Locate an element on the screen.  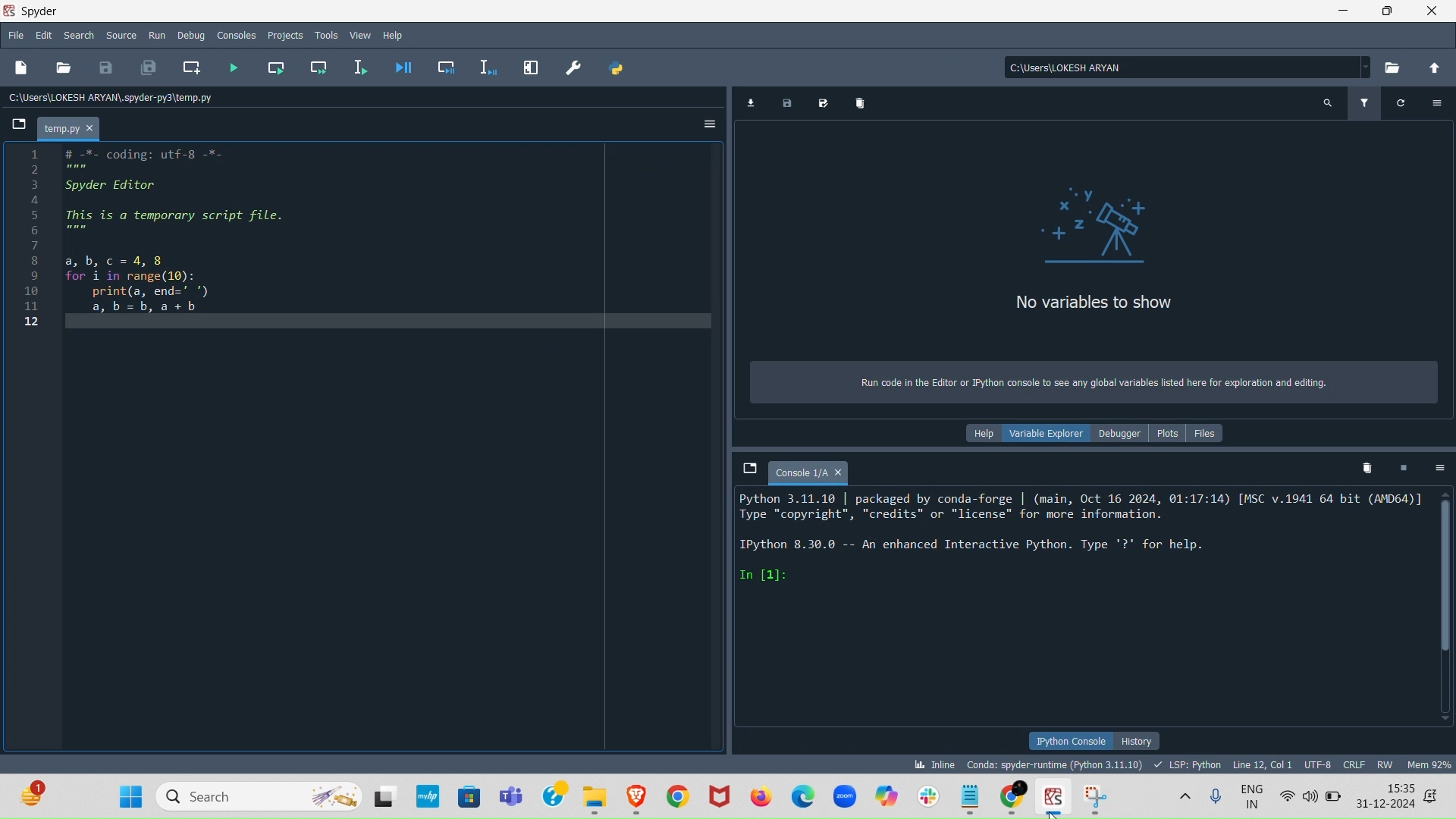
Save all files (Ctrl + Alt + S) is located at coordinates (151, 71).